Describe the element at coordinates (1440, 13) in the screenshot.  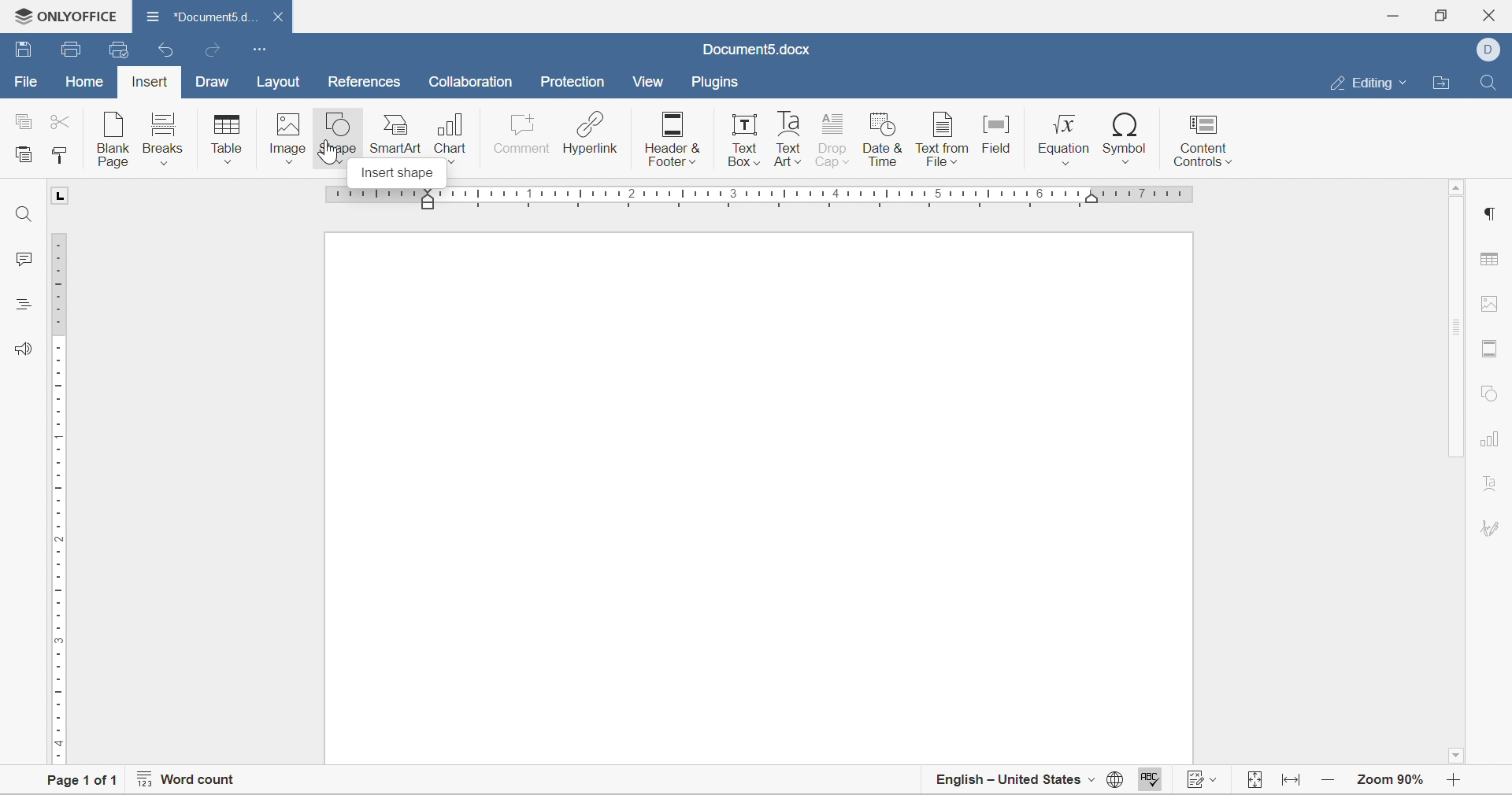
I see `restore down` at that location.